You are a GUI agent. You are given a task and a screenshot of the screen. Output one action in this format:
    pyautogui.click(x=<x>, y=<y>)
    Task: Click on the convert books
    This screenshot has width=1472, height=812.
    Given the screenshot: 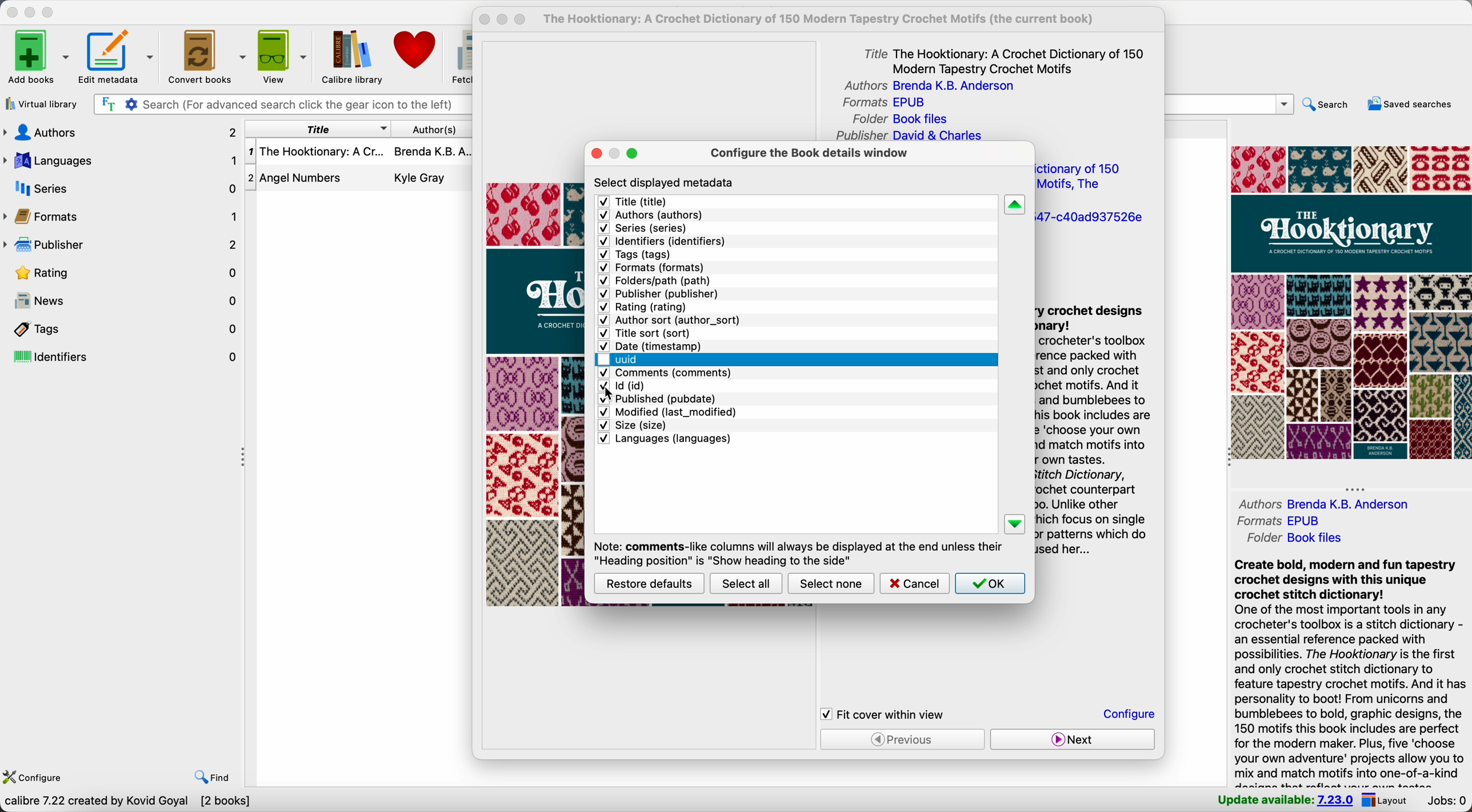 What is the action you would take?
    pyautogui.click(x=205, y=55)
    